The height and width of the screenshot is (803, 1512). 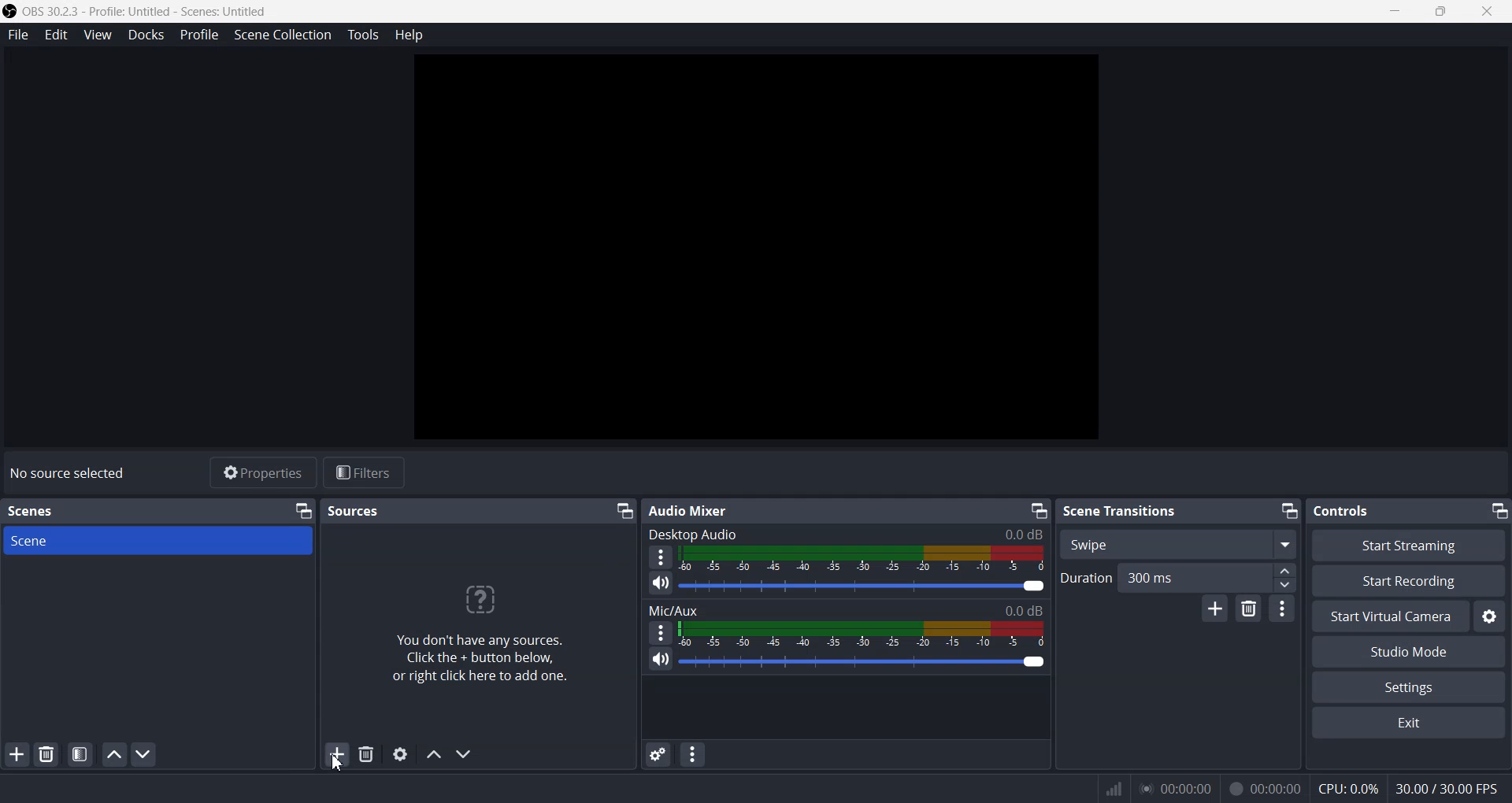 What do you see at coordinates (364, 473) in the screenshot?
I see `Filters` at bounding box center [364, 473].